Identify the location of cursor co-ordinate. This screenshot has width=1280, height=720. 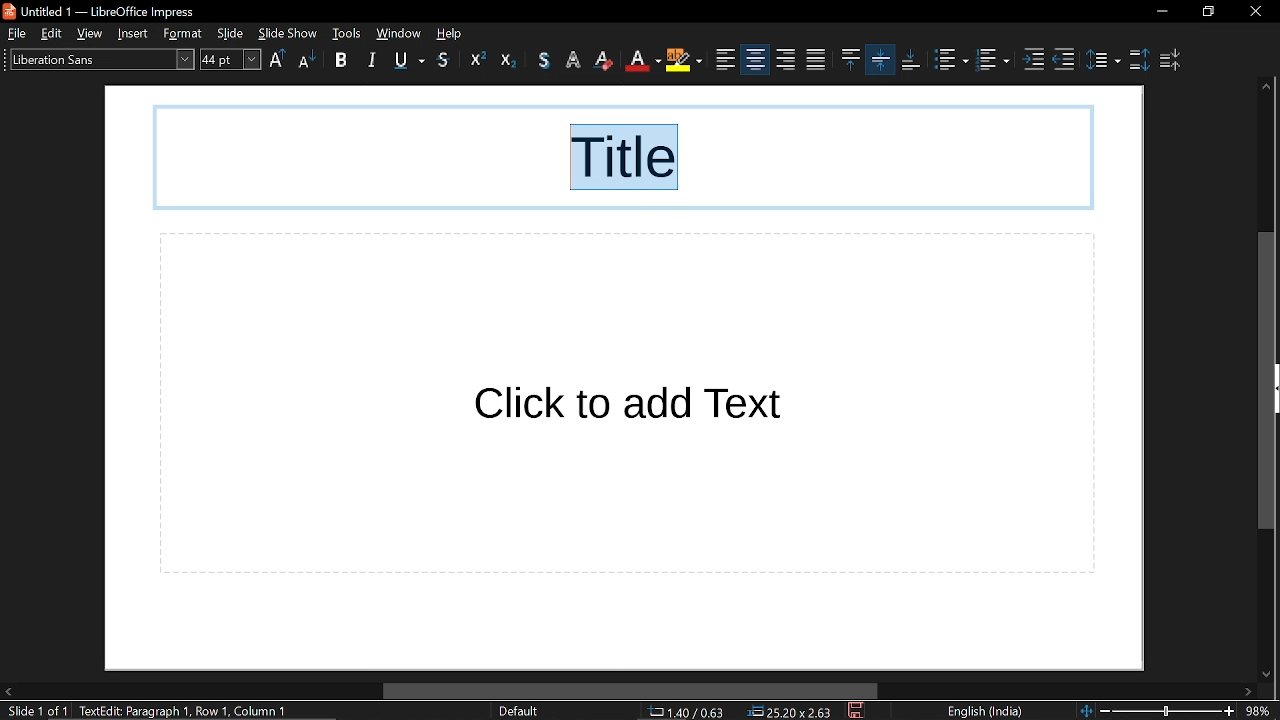
(693, 712).